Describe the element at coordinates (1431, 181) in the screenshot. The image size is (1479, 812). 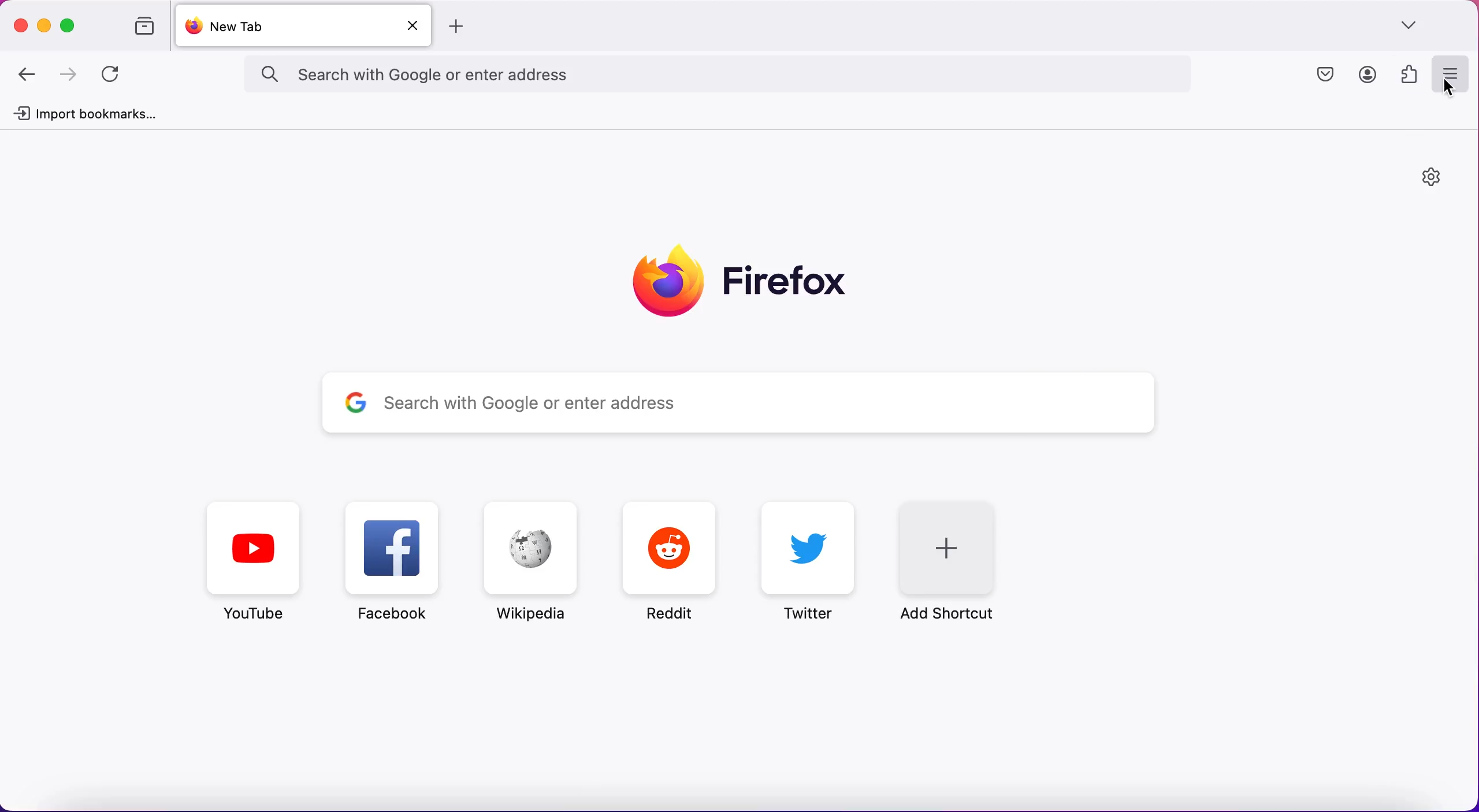
I see `personalize new tab` at that location.